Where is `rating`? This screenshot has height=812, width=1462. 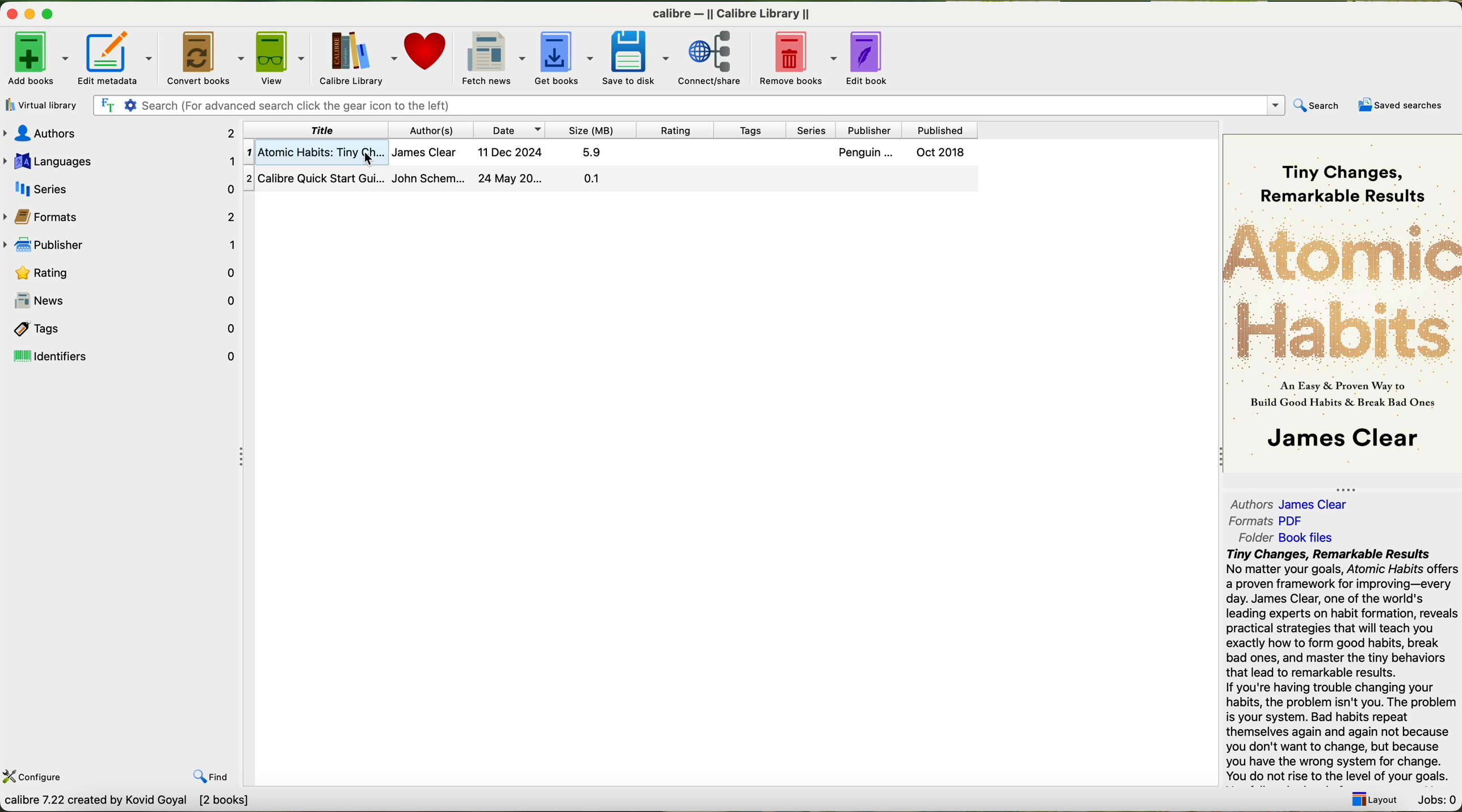 rating is located at coordinates (676, 129).